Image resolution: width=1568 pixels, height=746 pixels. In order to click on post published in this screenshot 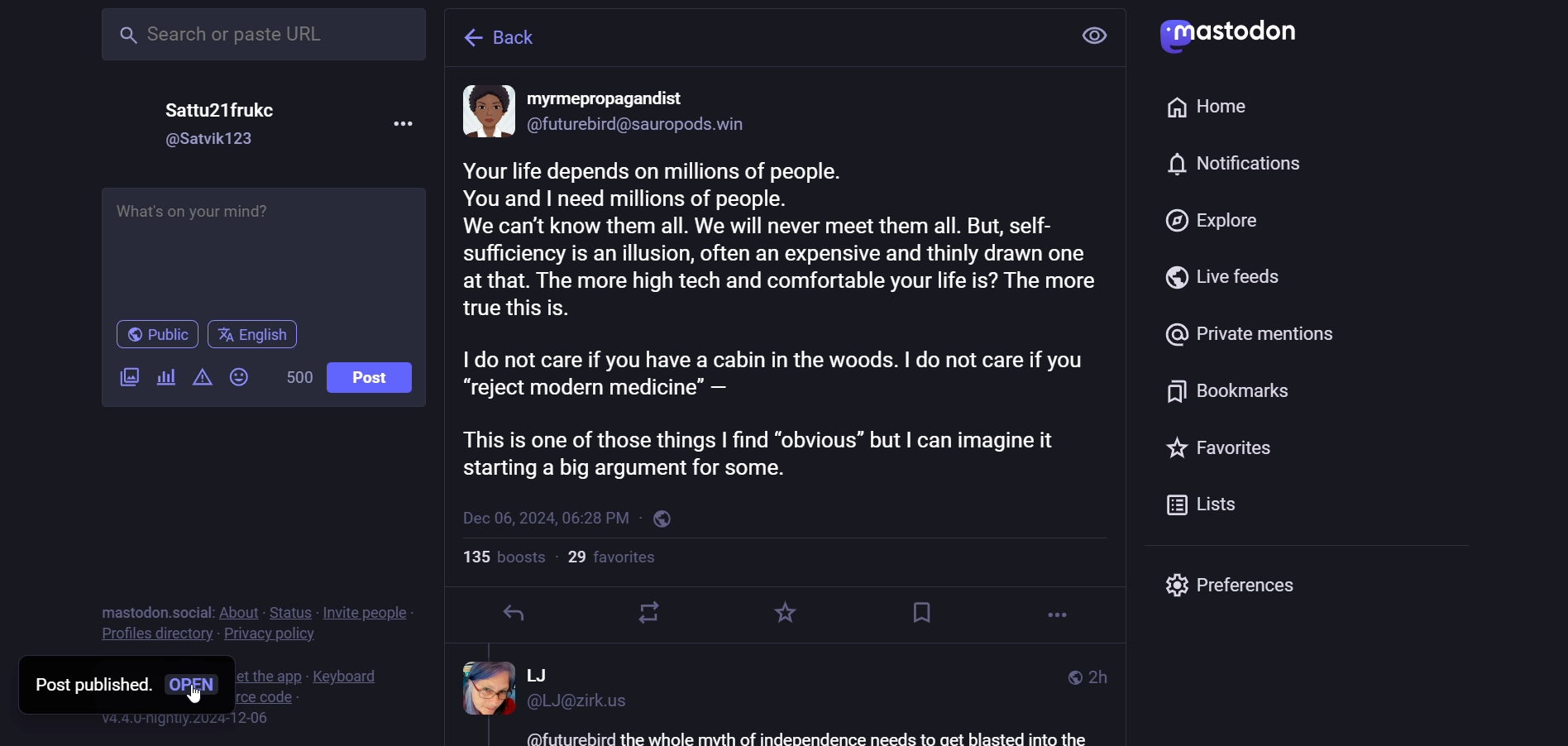, I will do `click(88, 687)`.